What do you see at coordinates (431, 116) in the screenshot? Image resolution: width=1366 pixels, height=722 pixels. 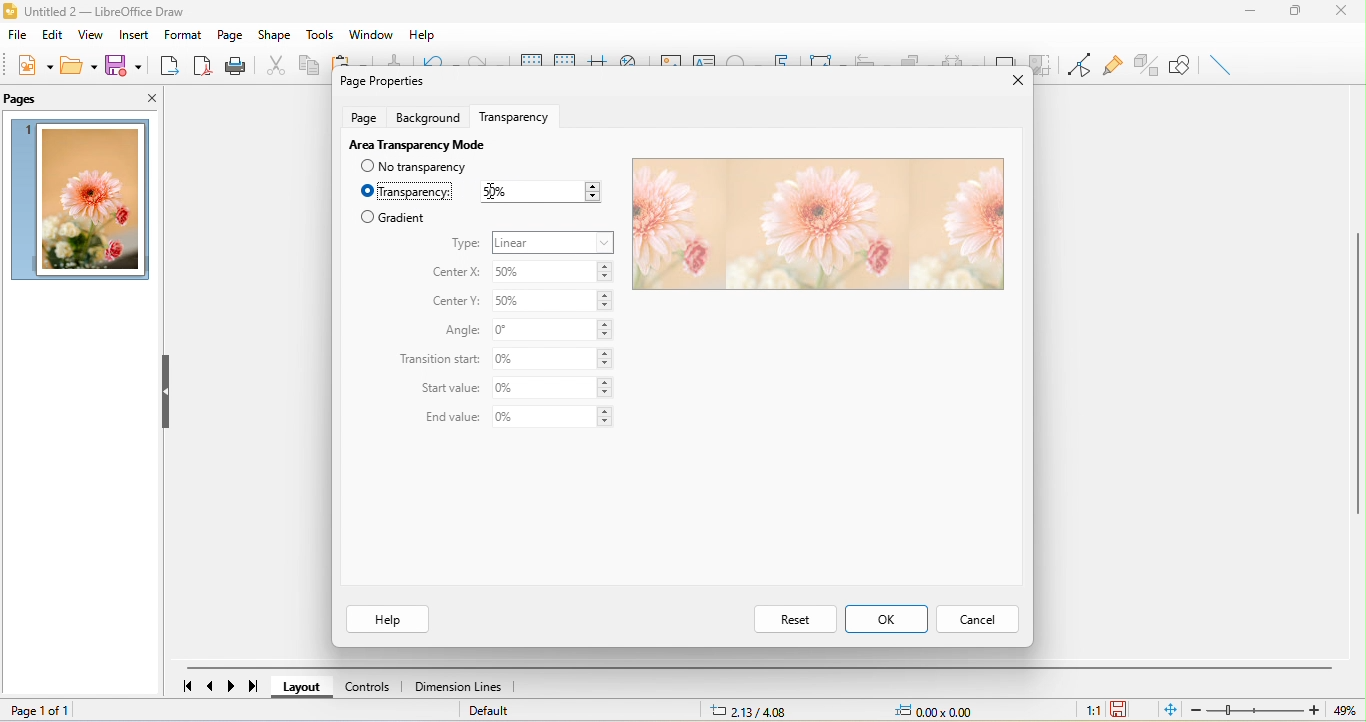 I see `background` at bounding box center [431, 116].